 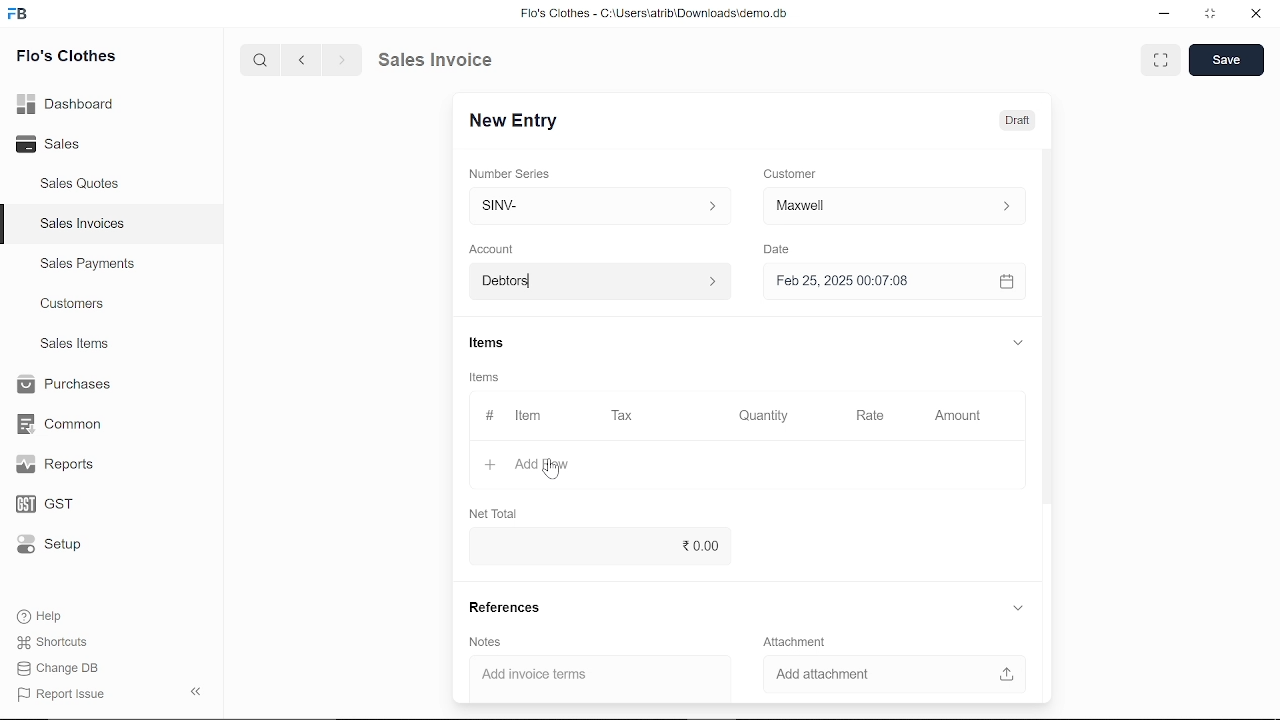 I want to click on Shortcuts, so click(x=54, y=642).